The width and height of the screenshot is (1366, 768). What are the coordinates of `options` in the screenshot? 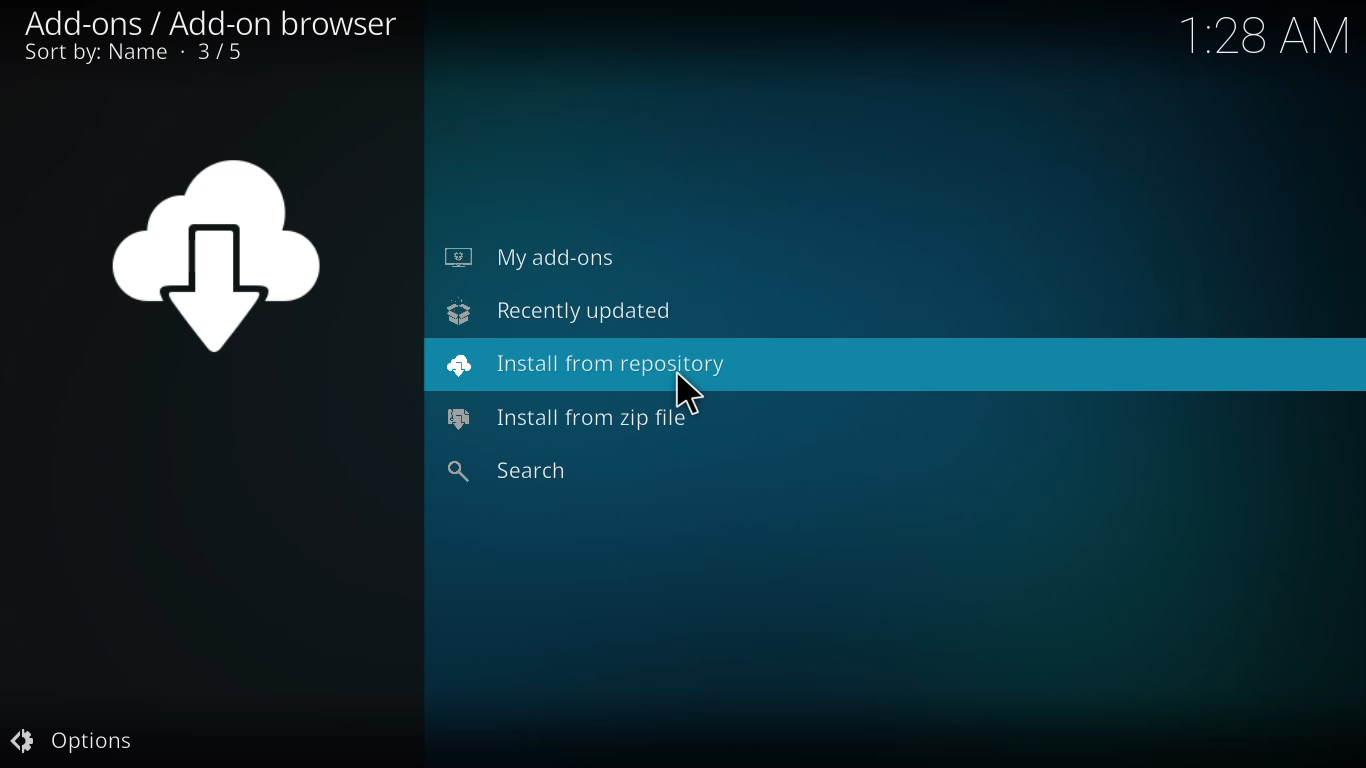 It's located at (77, 738).